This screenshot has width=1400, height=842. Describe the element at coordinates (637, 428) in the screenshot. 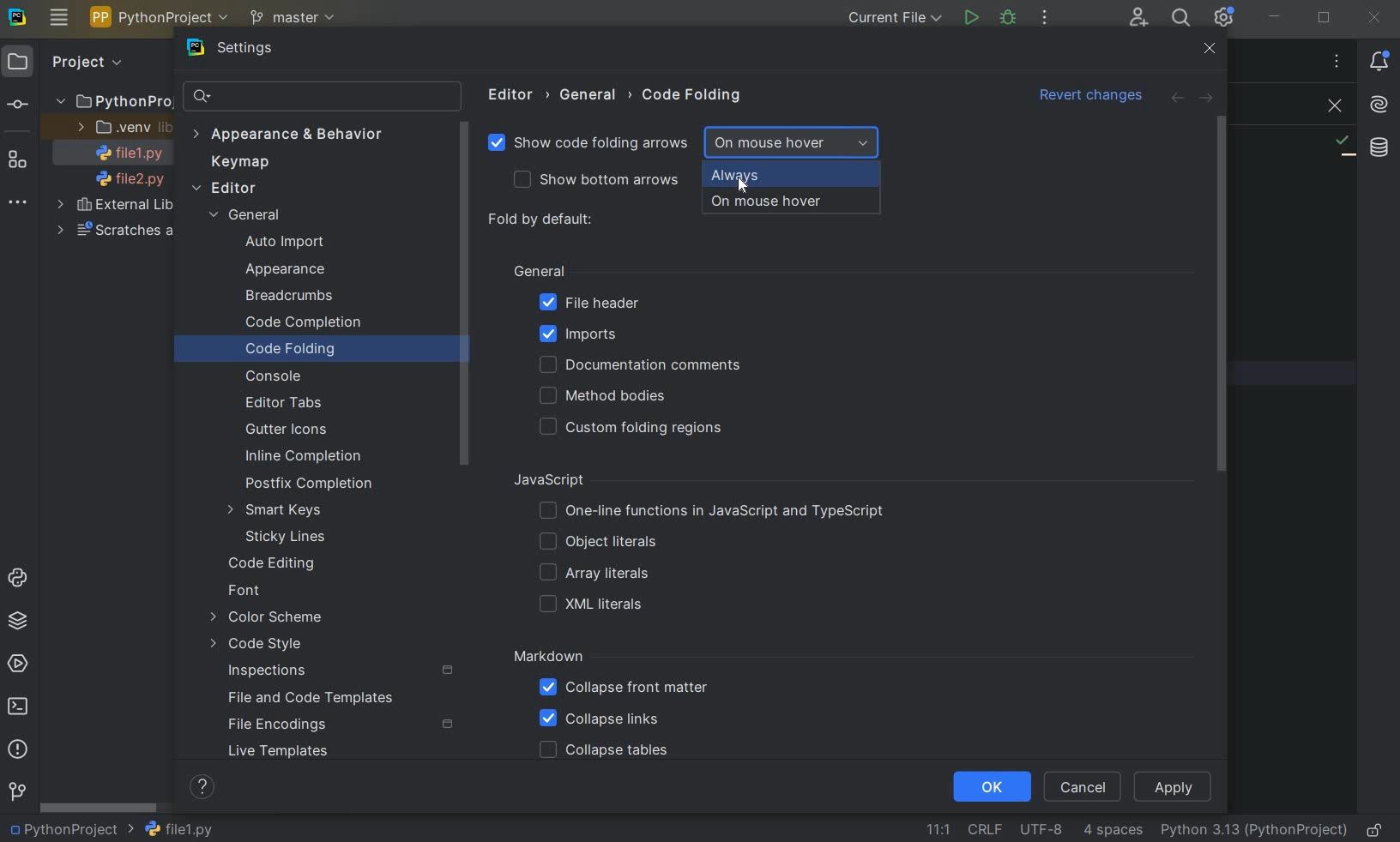

I see `CUSTOM FOLDING REGIONS` at that location.